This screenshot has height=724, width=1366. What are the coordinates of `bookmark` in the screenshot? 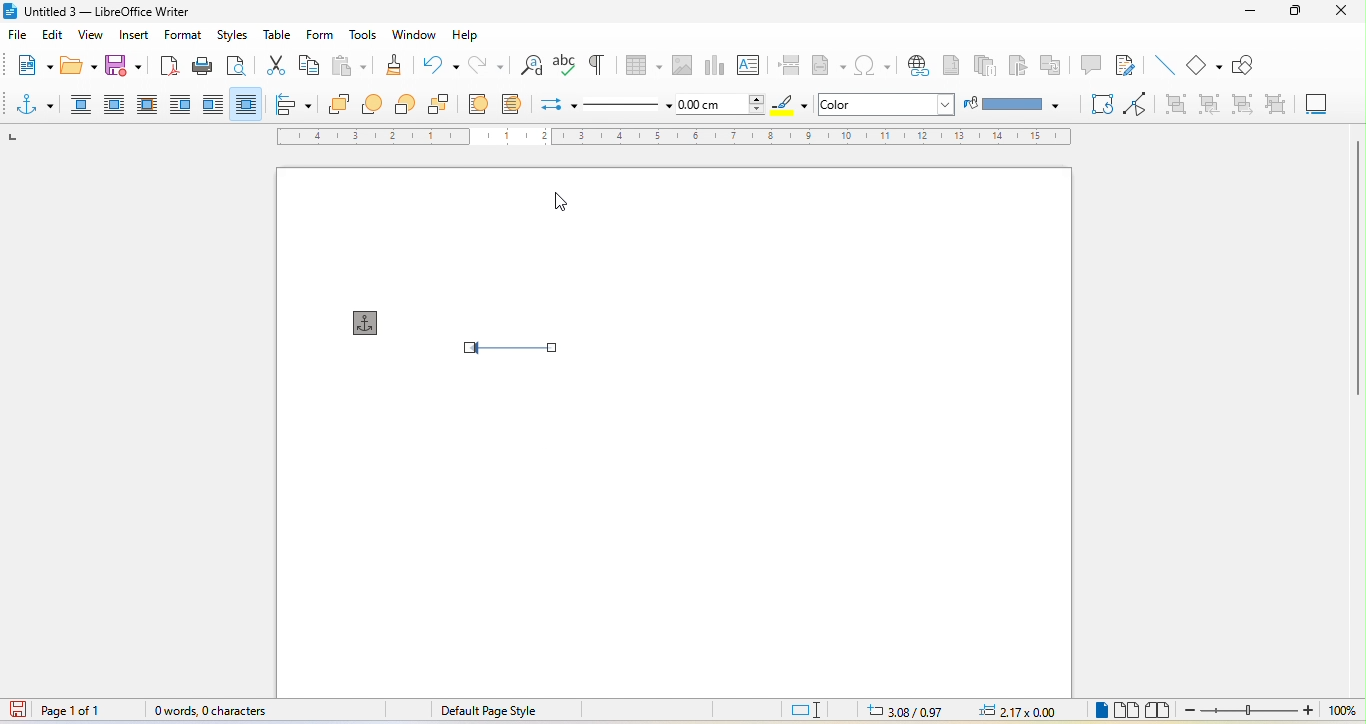 It's located at (1015, 62).